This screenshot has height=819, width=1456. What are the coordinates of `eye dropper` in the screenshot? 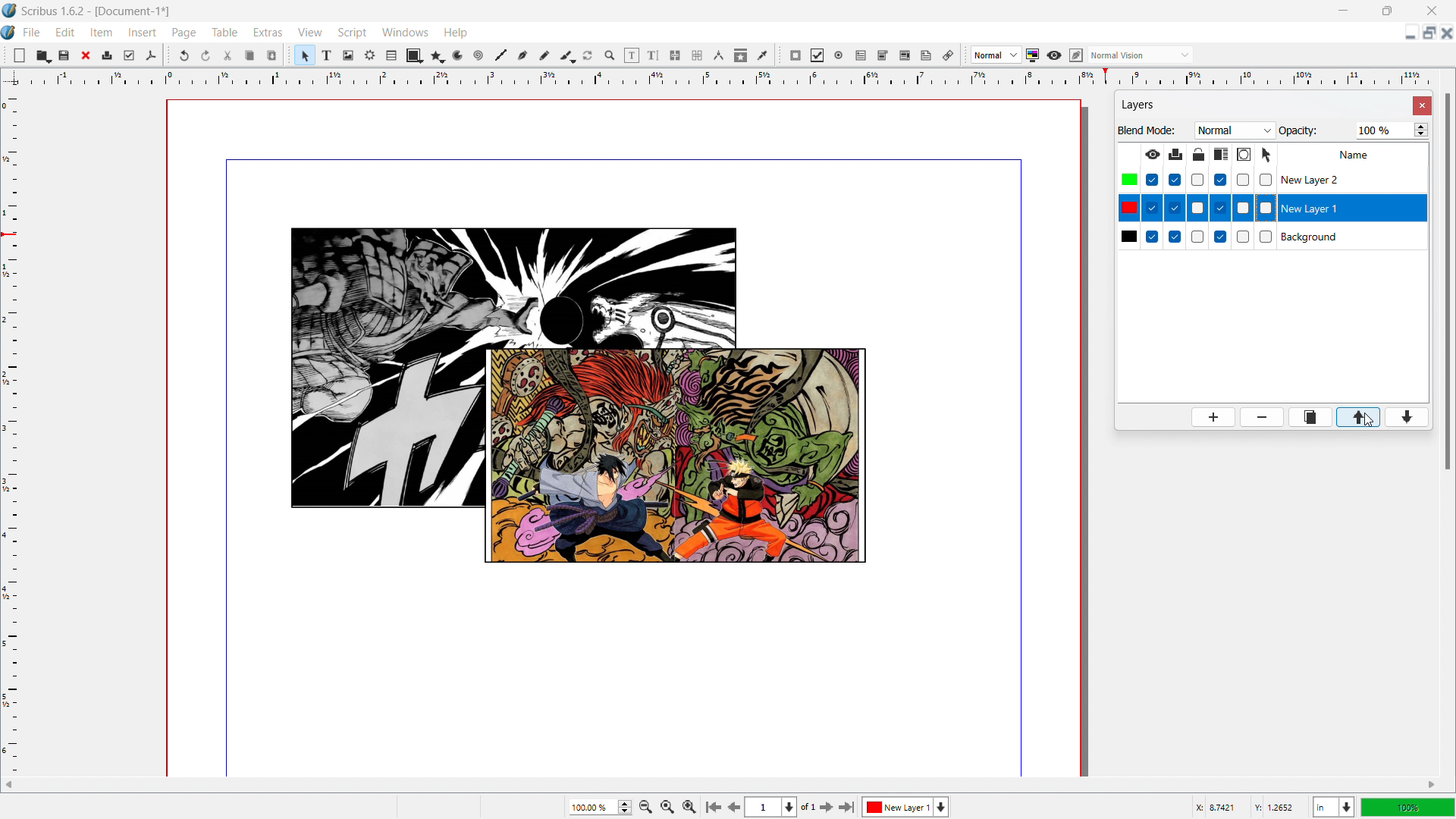 It's located at (762, 56).